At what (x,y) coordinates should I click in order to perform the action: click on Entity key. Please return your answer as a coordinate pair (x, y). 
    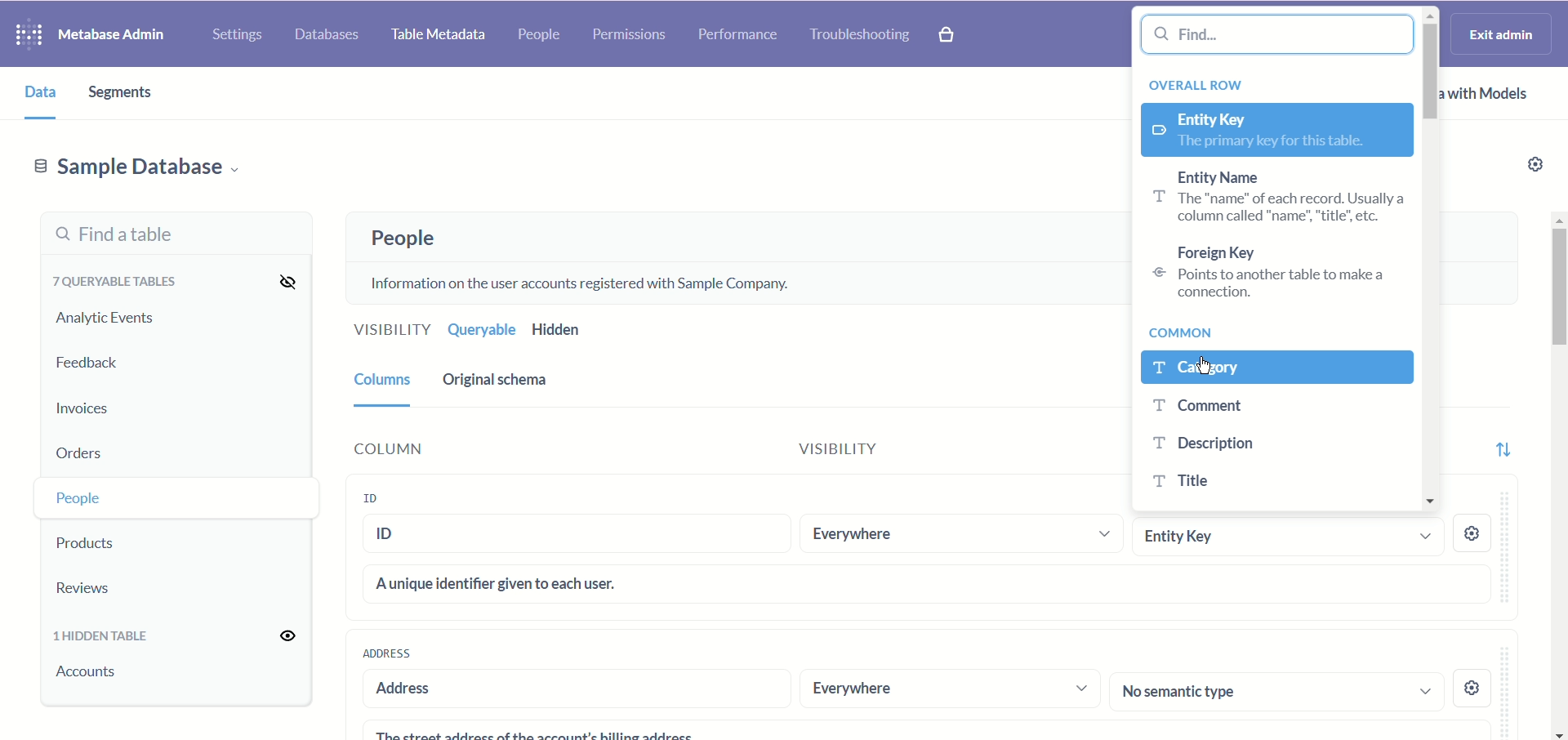
    Looking at the image, I should click on (1285, 536).